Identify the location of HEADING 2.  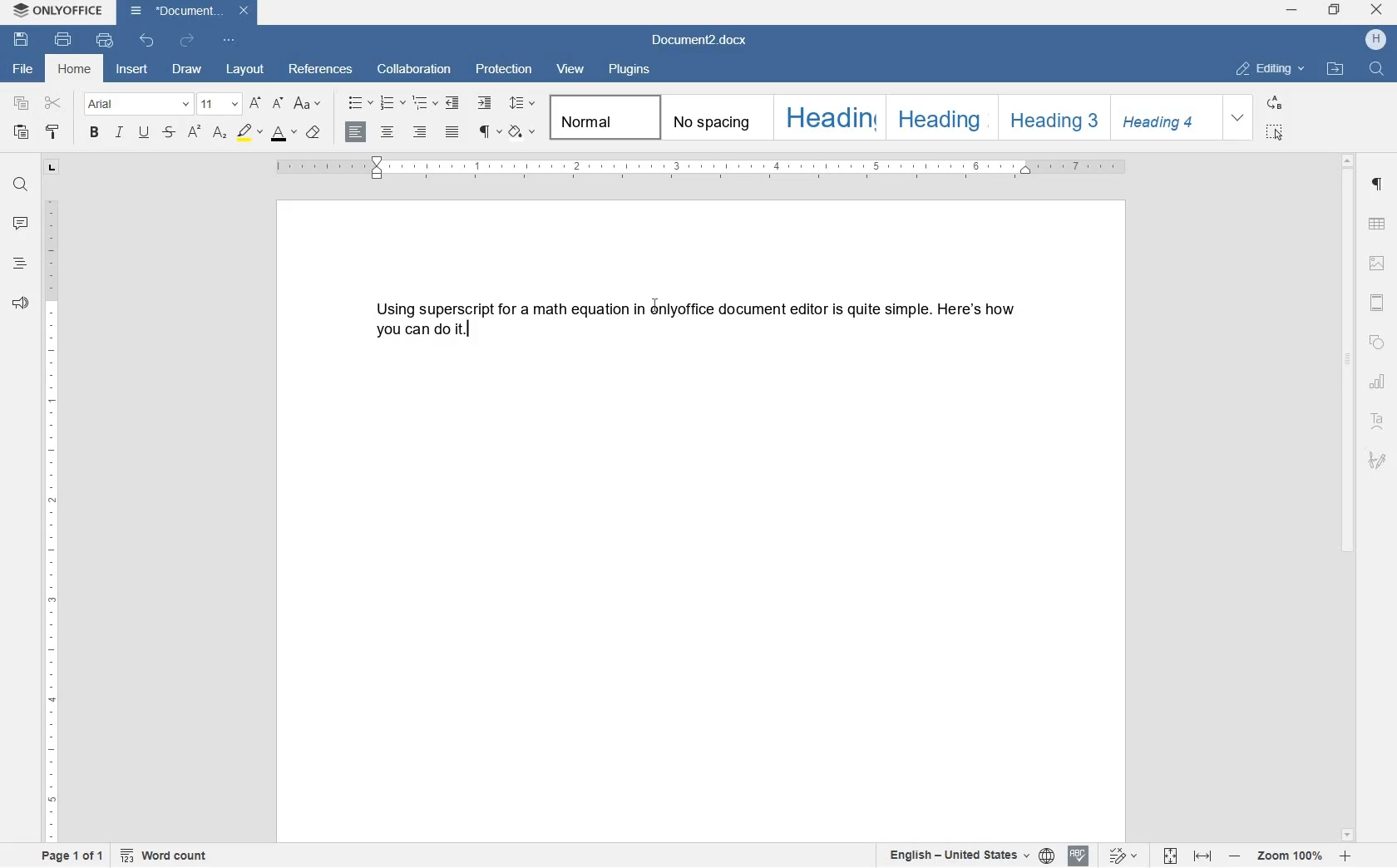
(937, 116).